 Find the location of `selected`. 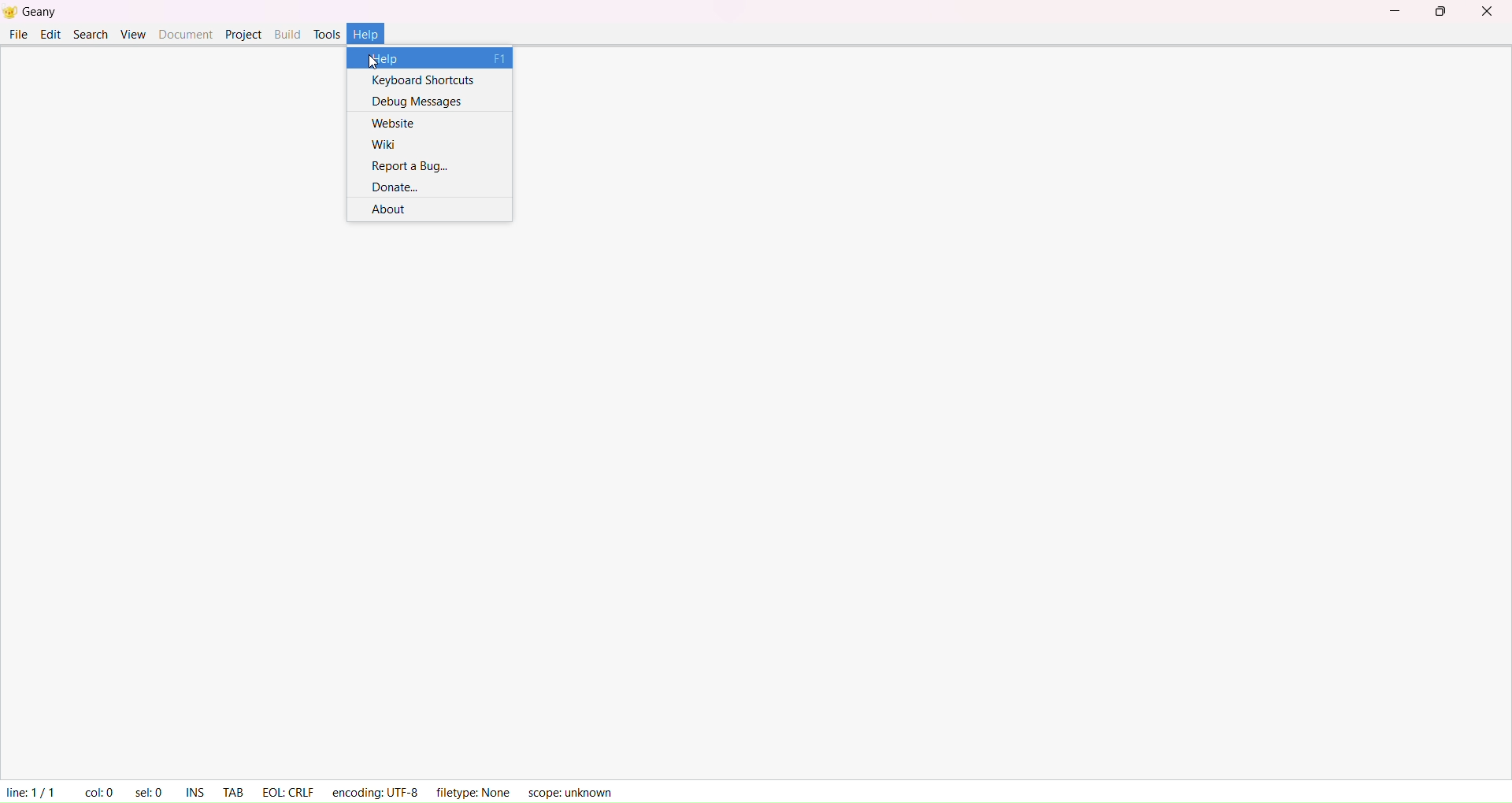

selected is located at coordinates (146, 789).